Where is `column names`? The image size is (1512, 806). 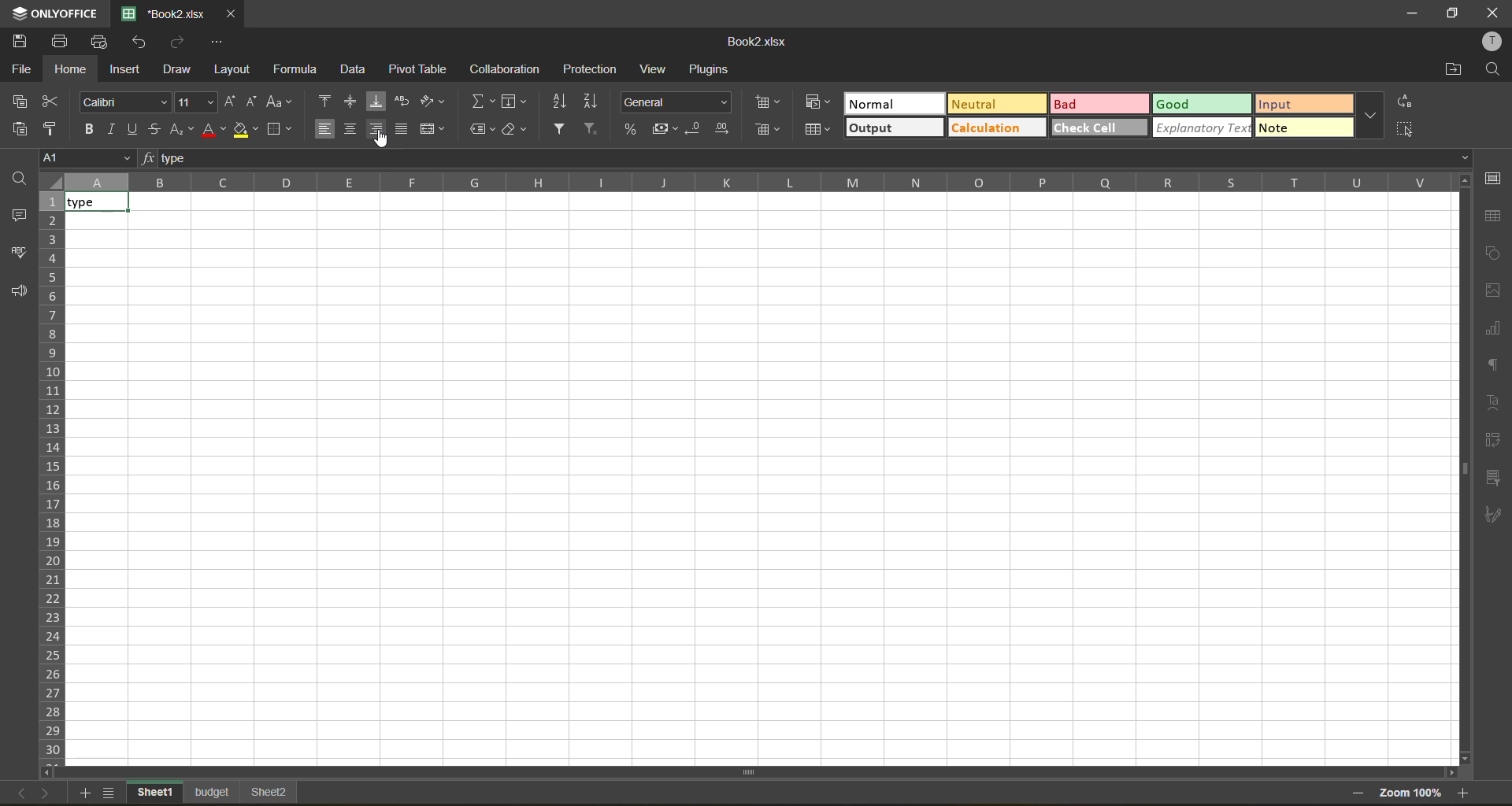 column names is located at coordinates (759, 182).